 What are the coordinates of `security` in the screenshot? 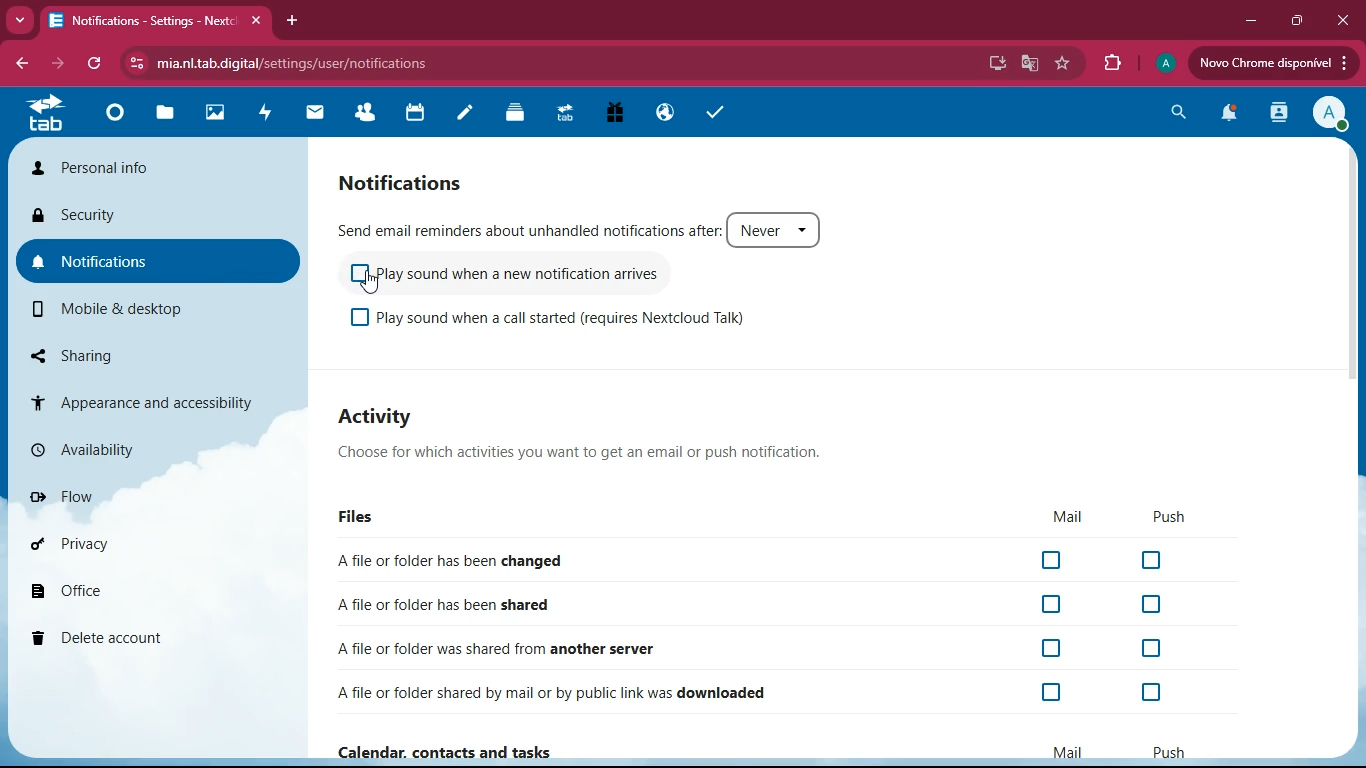 It's located at (153, 212).